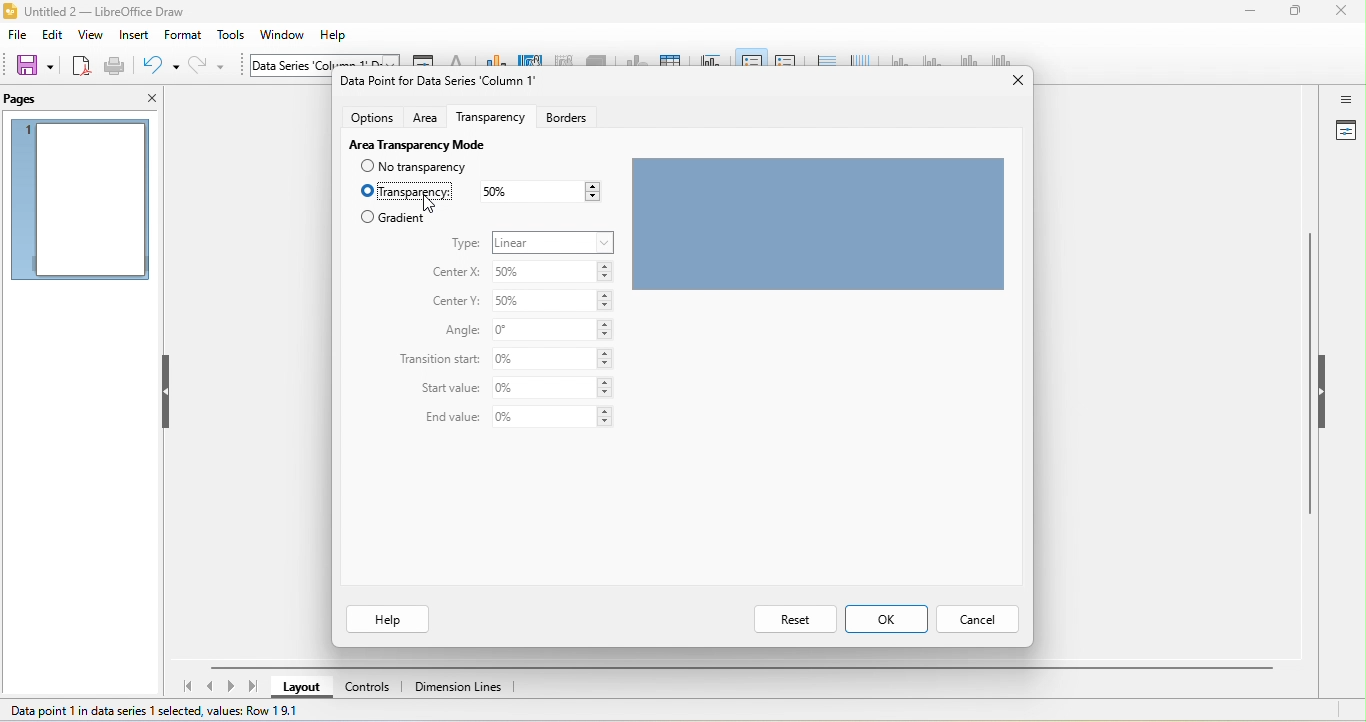 The height and width of the screenshot is (722, 1366). I want to click on transition start, so click(429, 362).